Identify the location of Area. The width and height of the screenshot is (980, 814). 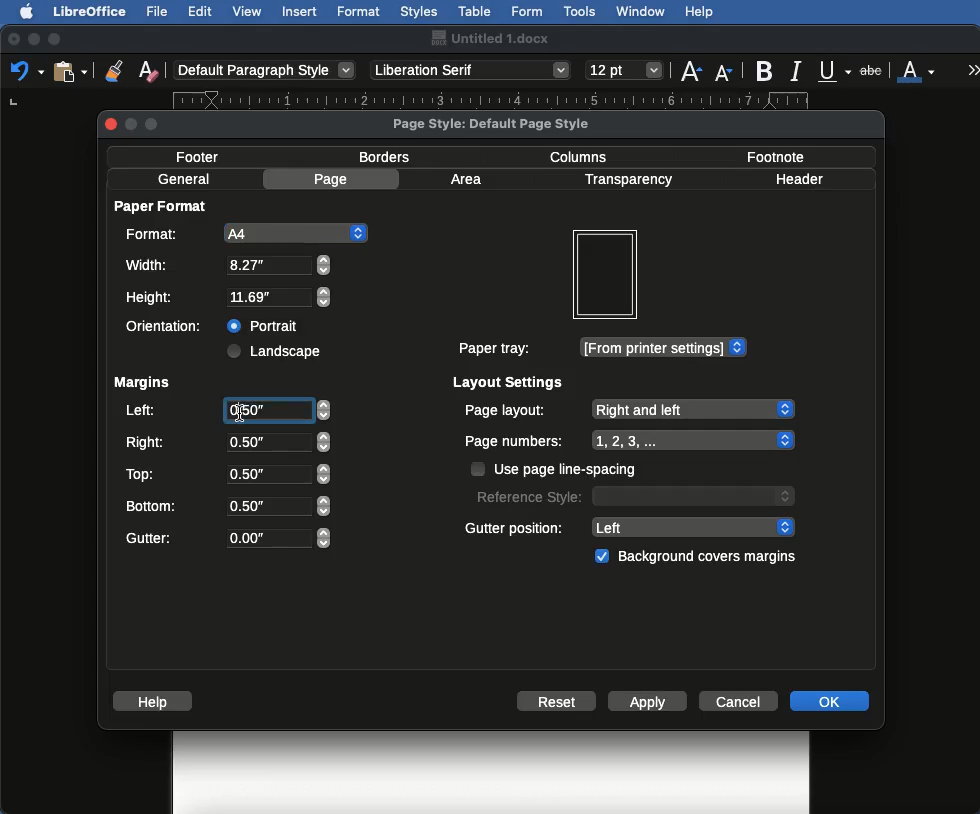
(469, 179).